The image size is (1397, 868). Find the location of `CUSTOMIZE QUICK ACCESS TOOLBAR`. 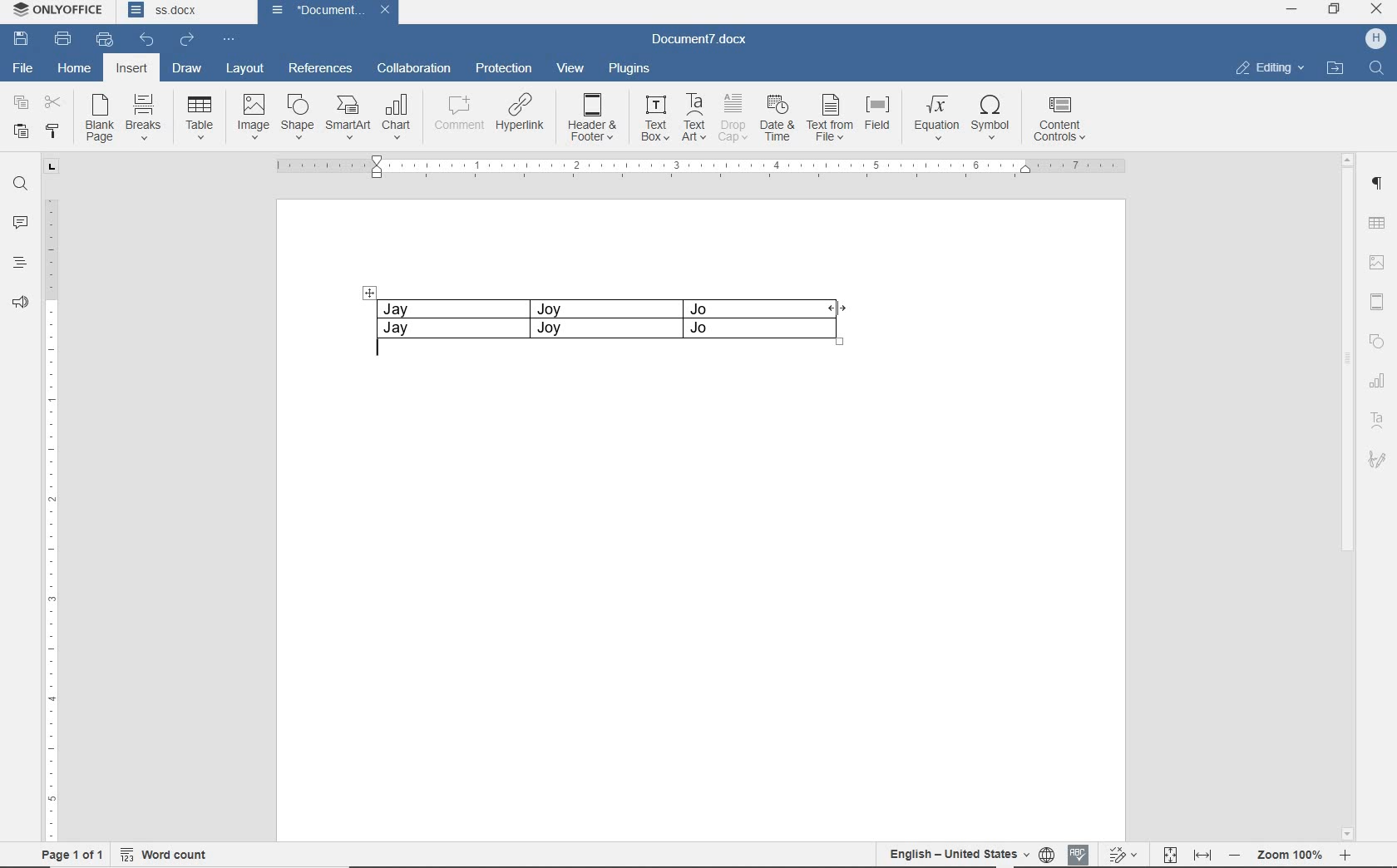

CUSTOMIZE QUICK ACCESS TOOLBAR is located at coordinates (225, 40).